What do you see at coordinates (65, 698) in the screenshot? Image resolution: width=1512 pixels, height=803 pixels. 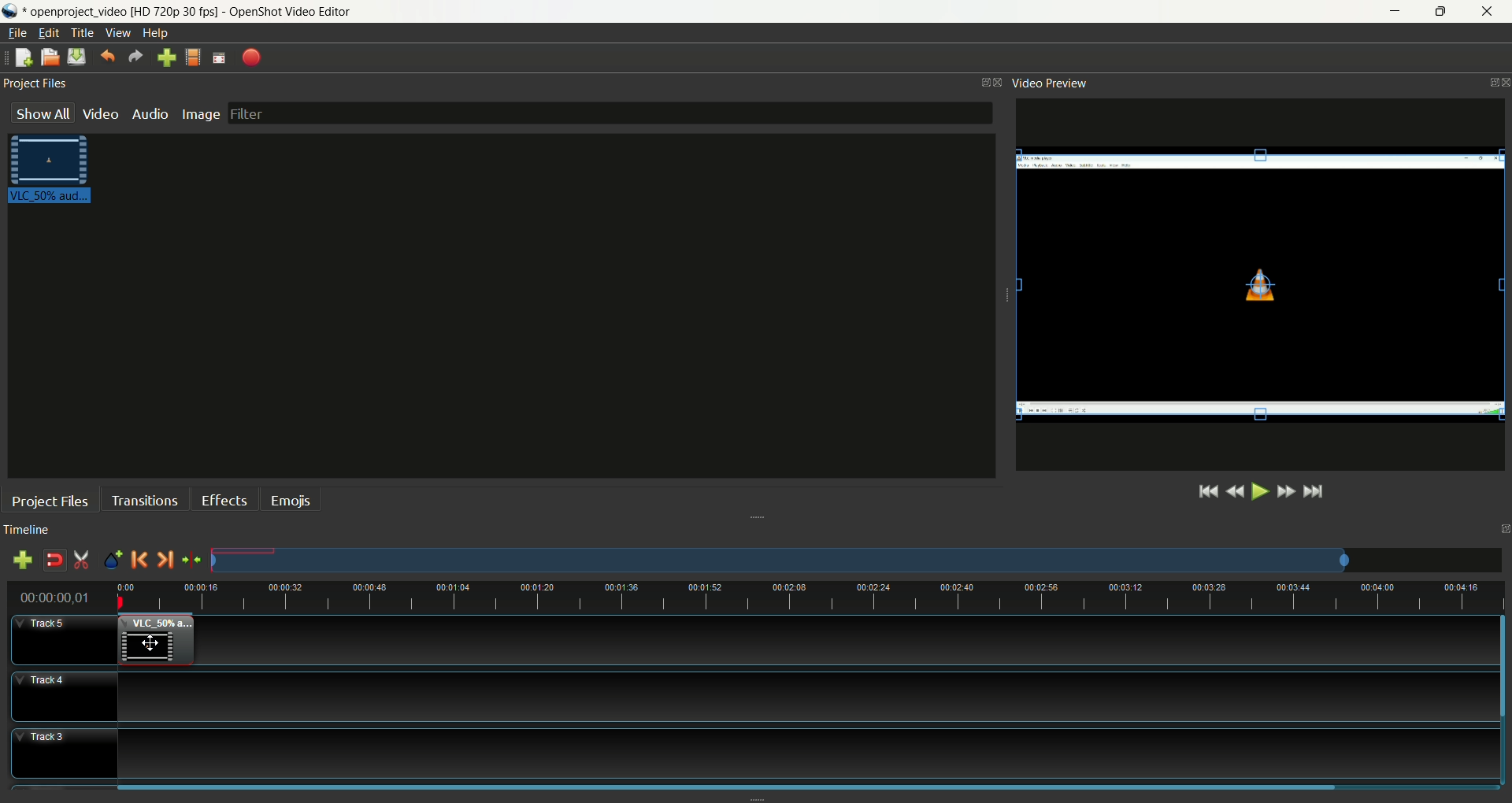 I see `track4` at bounding box center [65, 698].